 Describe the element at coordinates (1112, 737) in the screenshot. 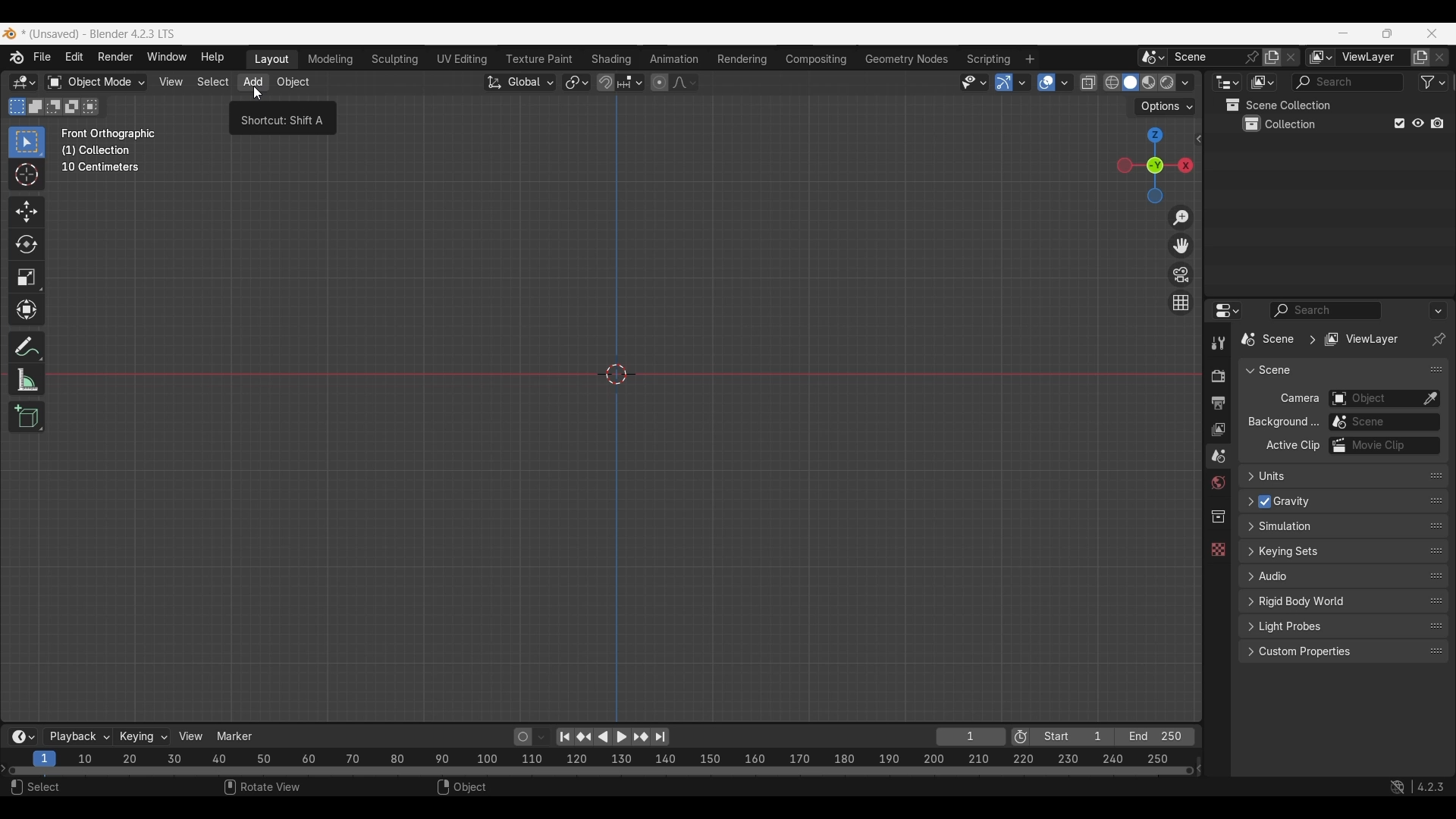

I see `Final frame of the playback rendering range` at that location.